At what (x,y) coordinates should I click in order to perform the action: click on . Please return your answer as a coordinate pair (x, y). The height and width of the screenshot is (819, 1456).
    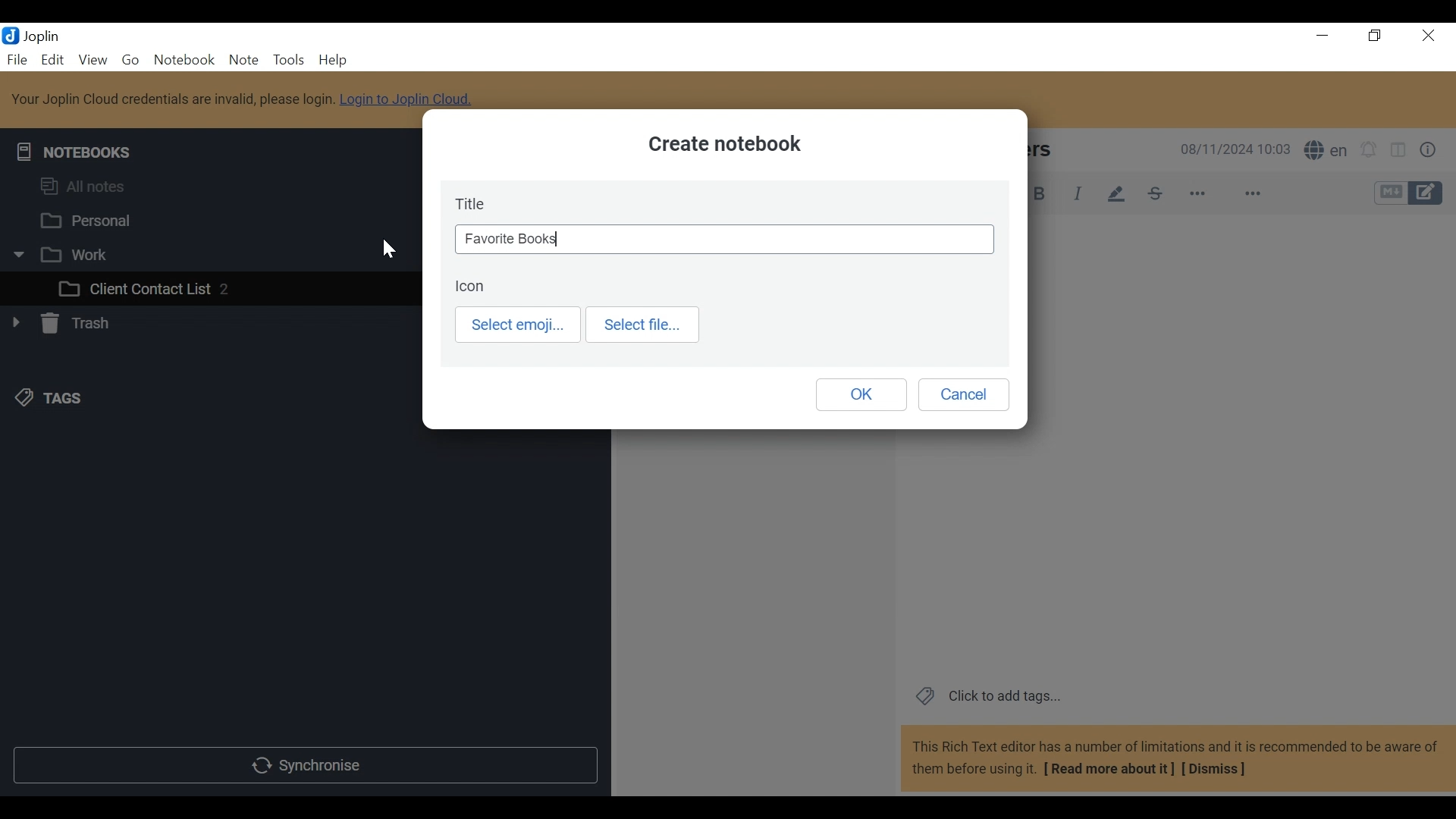
    Looking at the image, I should click on (1432, 149).